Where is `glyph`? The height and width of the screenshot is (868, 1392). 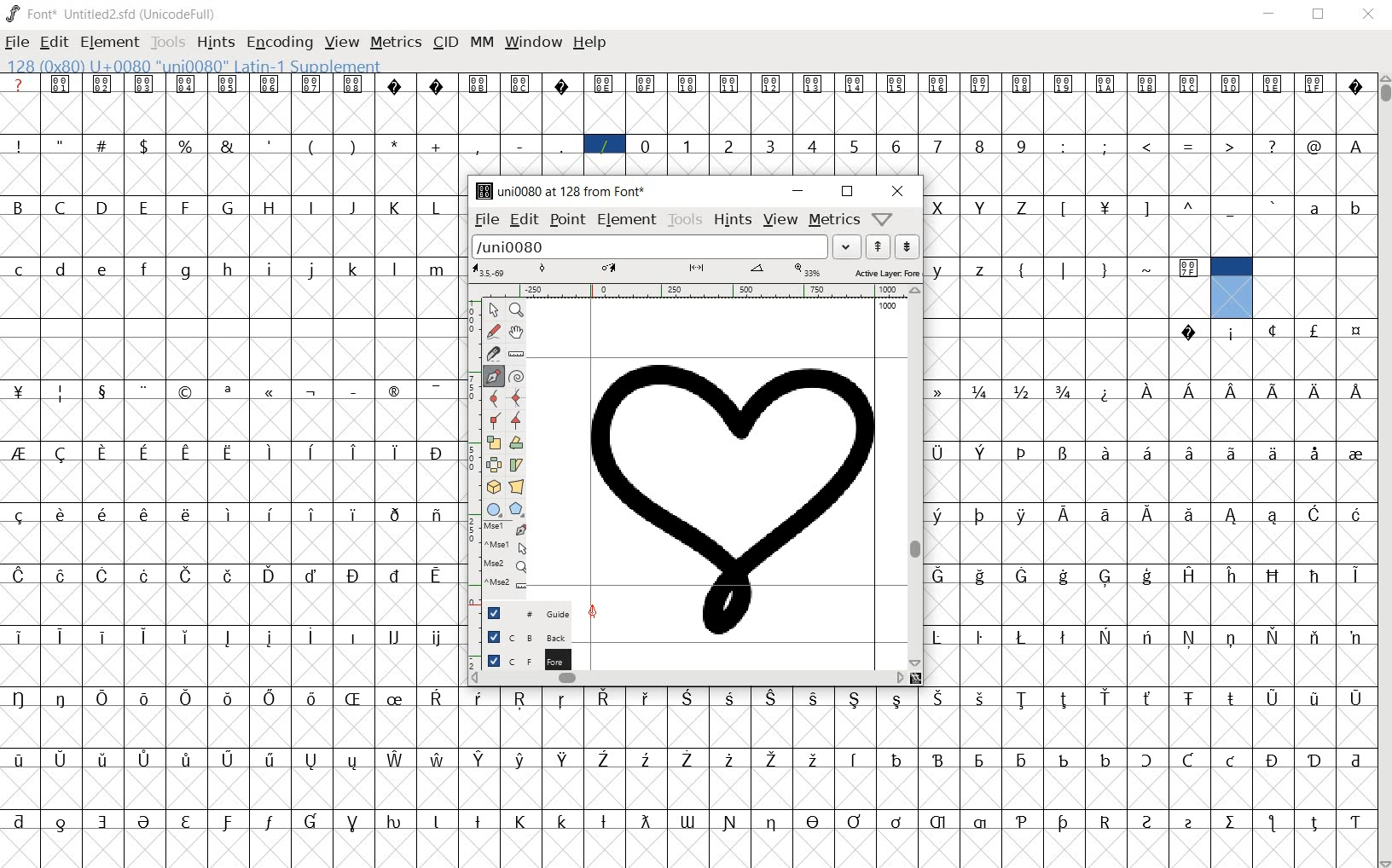 glyph is located at coordinates (1020, 208).